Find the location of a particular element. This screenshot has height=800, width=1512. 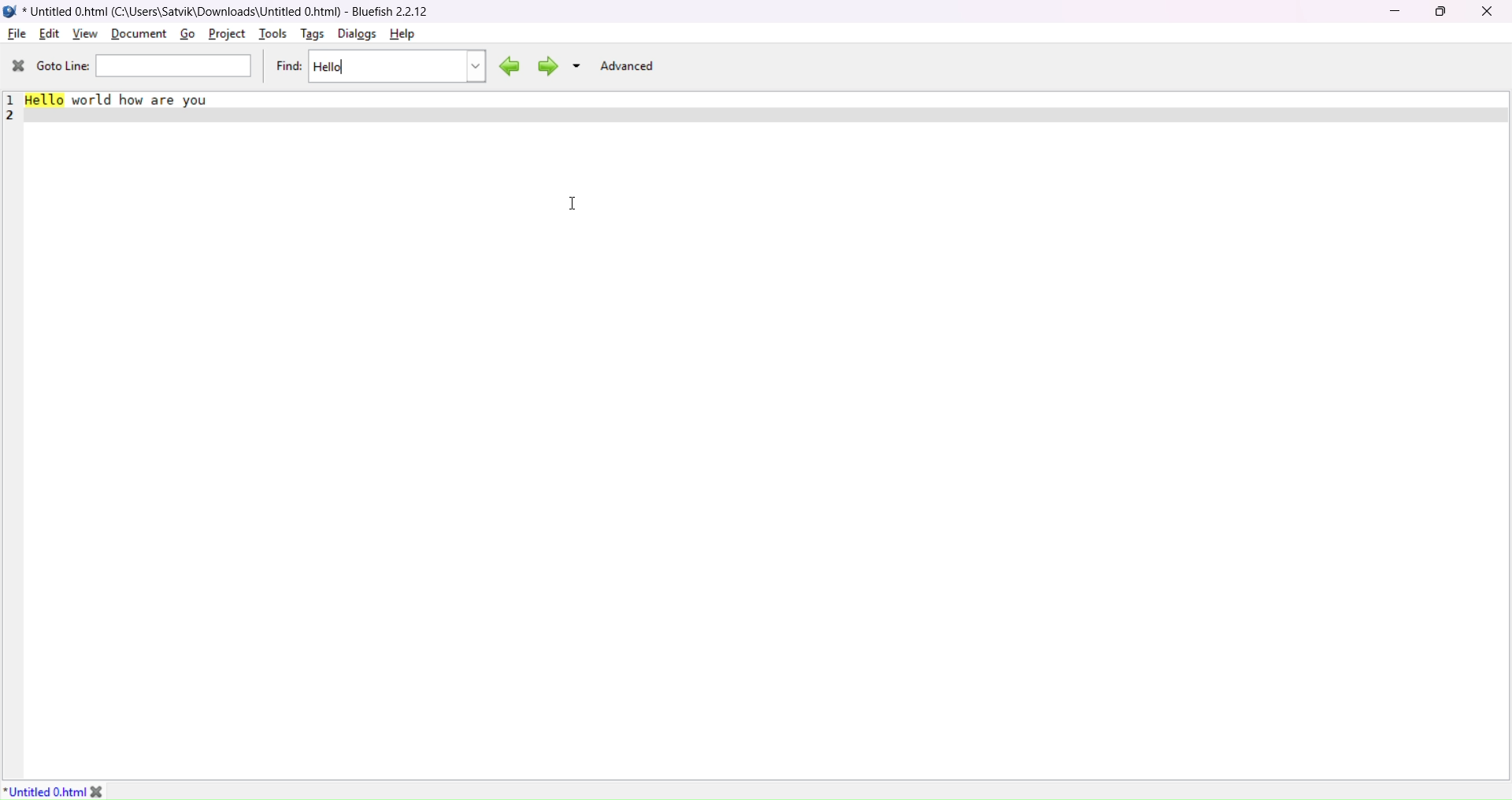

advanced is located at coordinates (629, 66).